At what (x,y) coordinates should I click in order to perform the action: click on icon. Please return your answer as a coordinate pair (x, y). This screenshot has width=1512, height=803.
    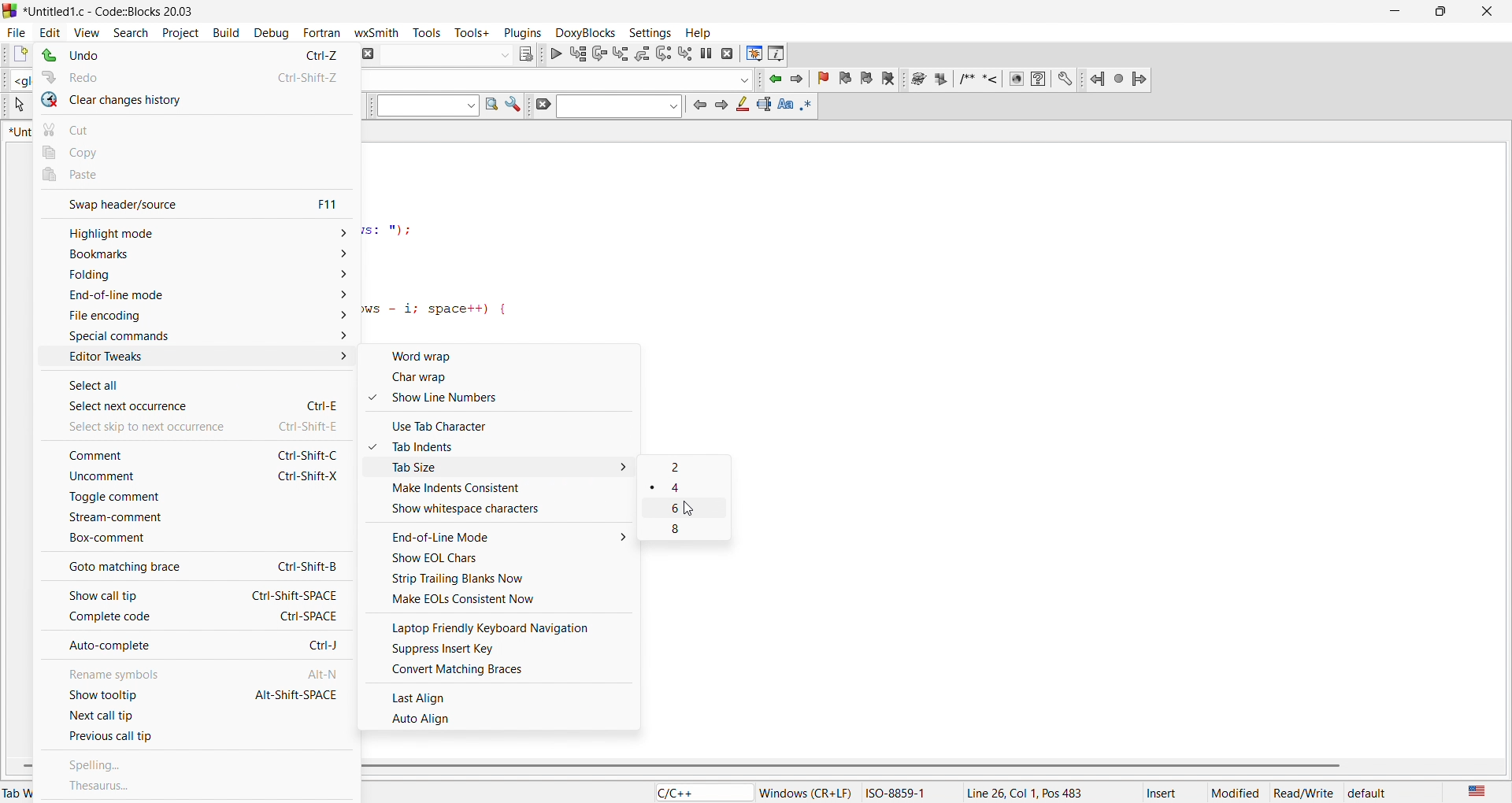
    Looking at the image, I should click on (764, 105).